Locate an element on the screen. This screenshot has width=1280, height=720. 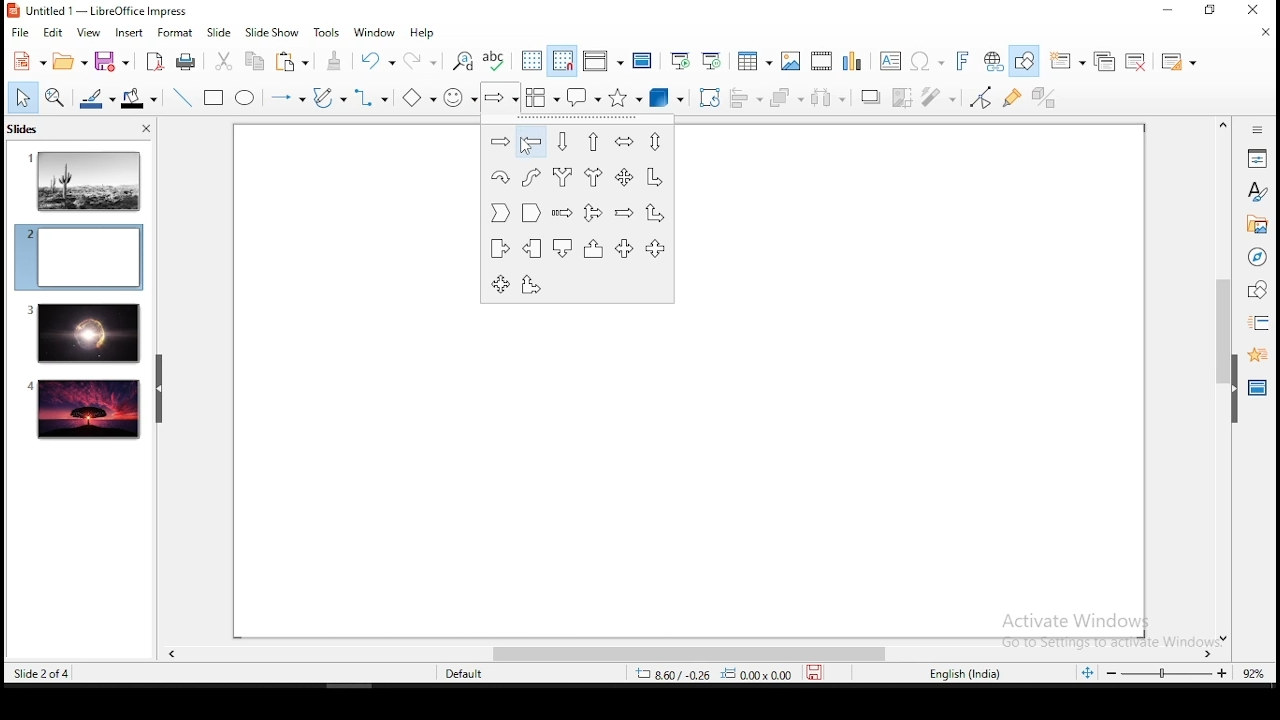
callout shapes is located at coordinates (584, 98).